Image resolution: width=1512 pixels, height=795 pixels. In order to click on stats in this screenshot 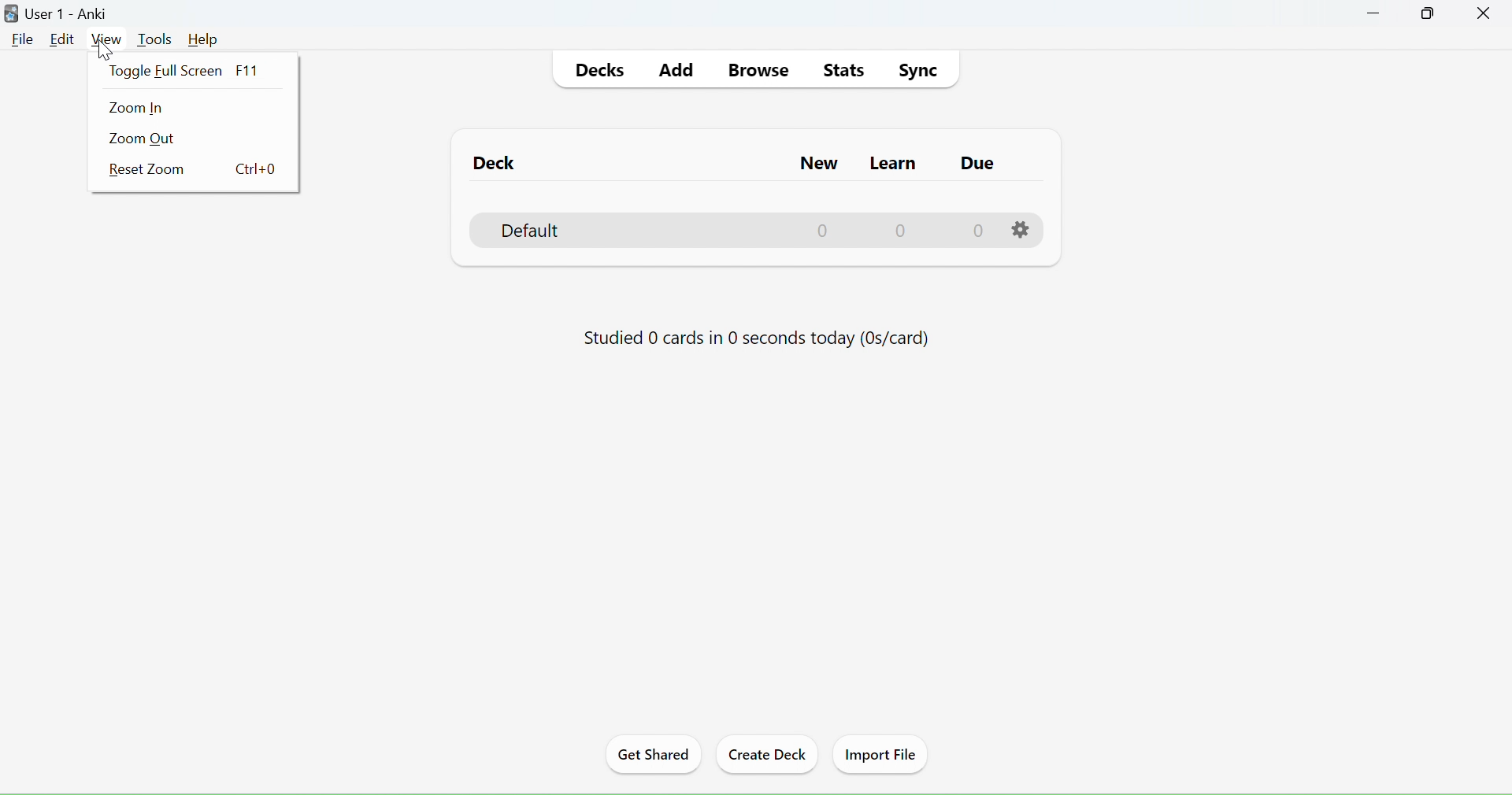, I will do `click(845, 72)`.